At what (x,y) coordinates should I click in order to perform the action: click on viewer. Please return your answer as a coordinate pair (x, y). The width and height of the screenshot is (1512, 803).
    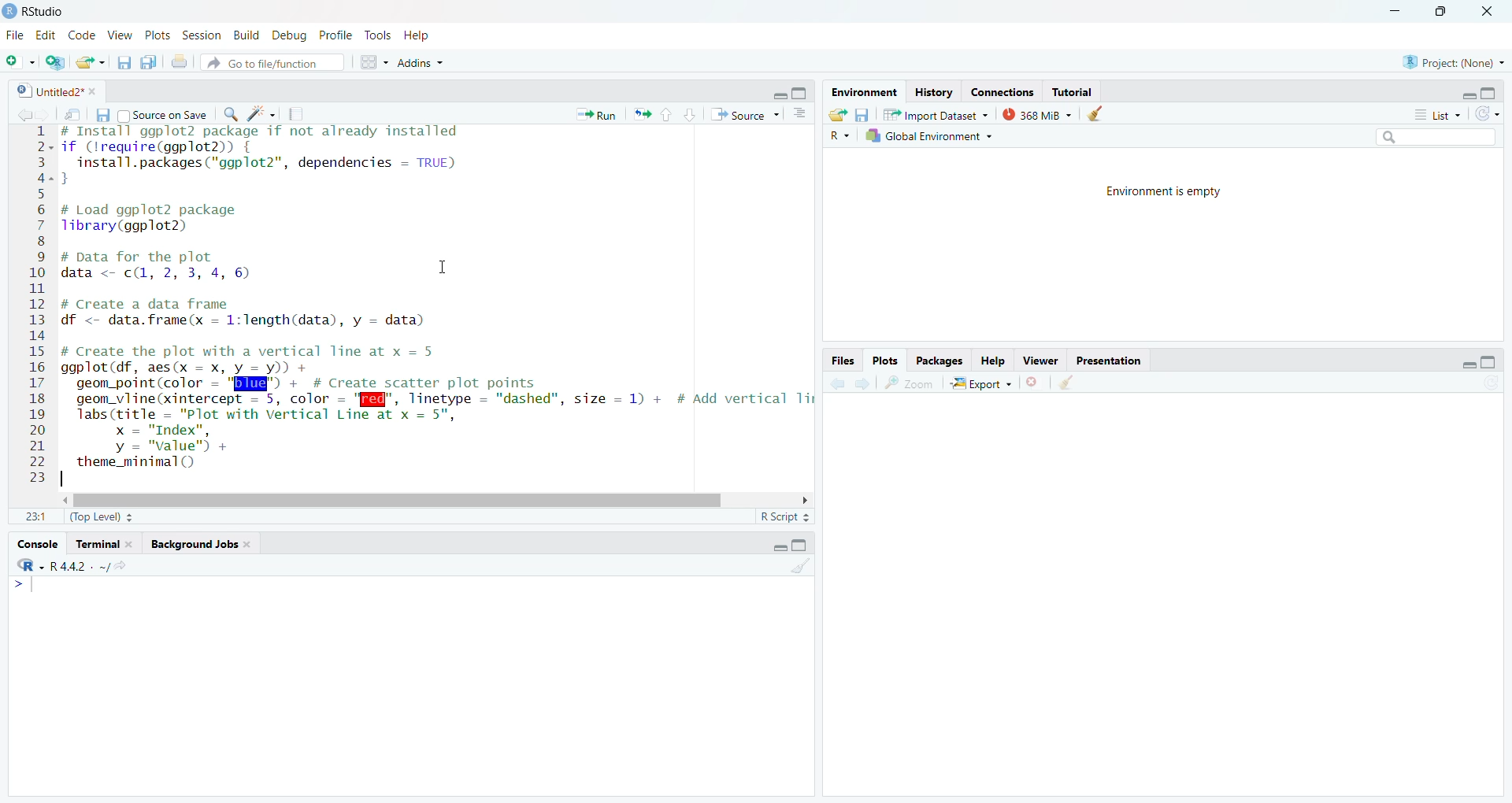
    Looking at the image, I should click on (1042, 361).